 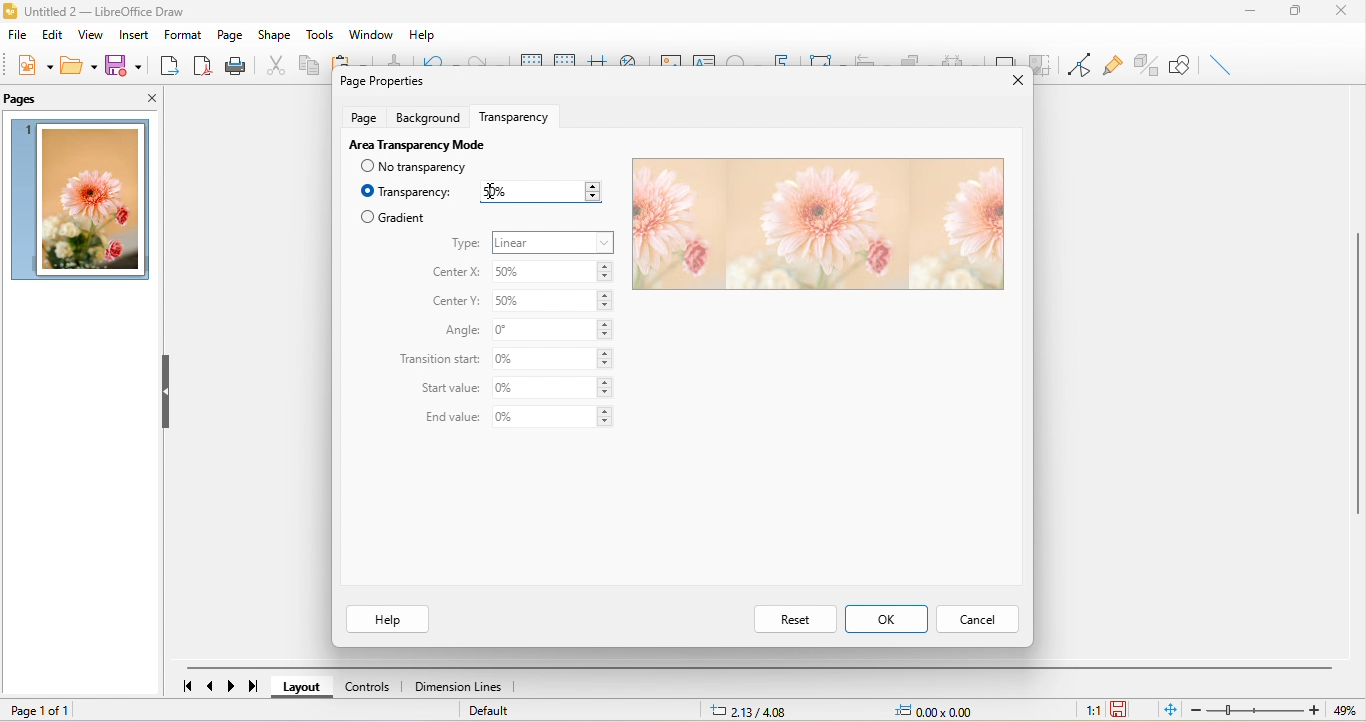 I want to click on linear, so click(x=554, y=242).